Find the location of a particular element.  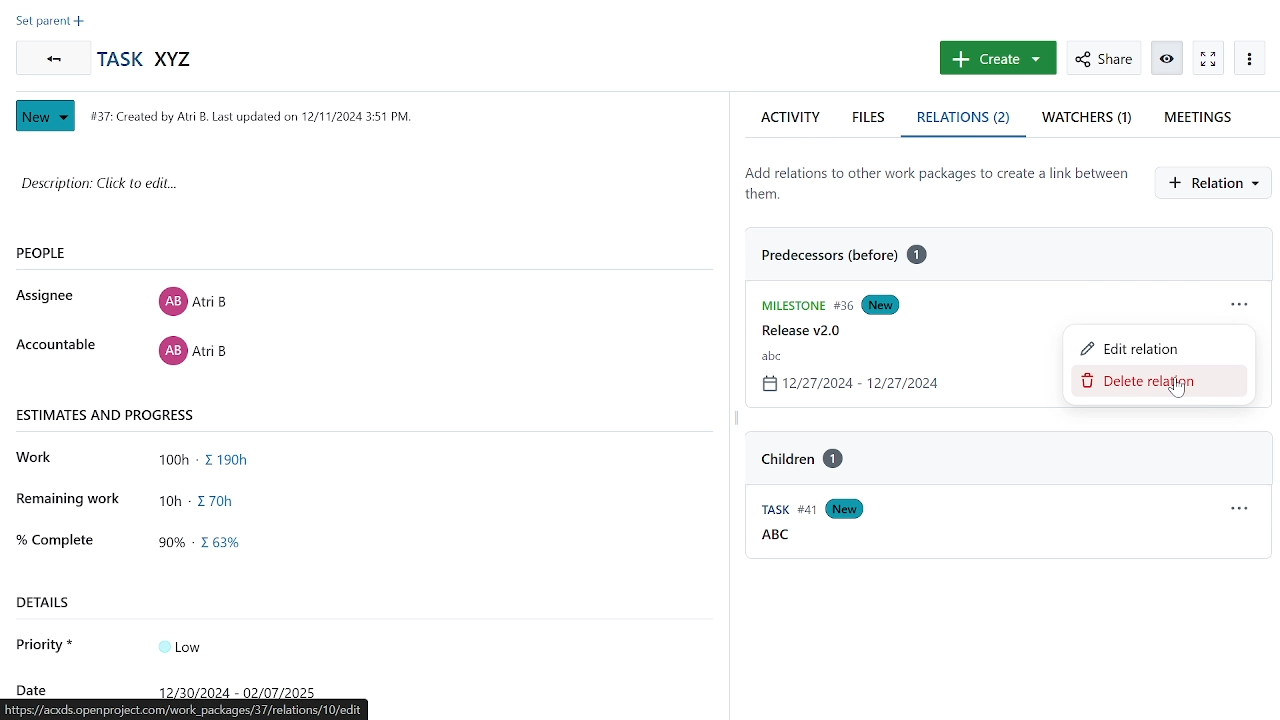

create new relation is located at coordinates (1217, 183).